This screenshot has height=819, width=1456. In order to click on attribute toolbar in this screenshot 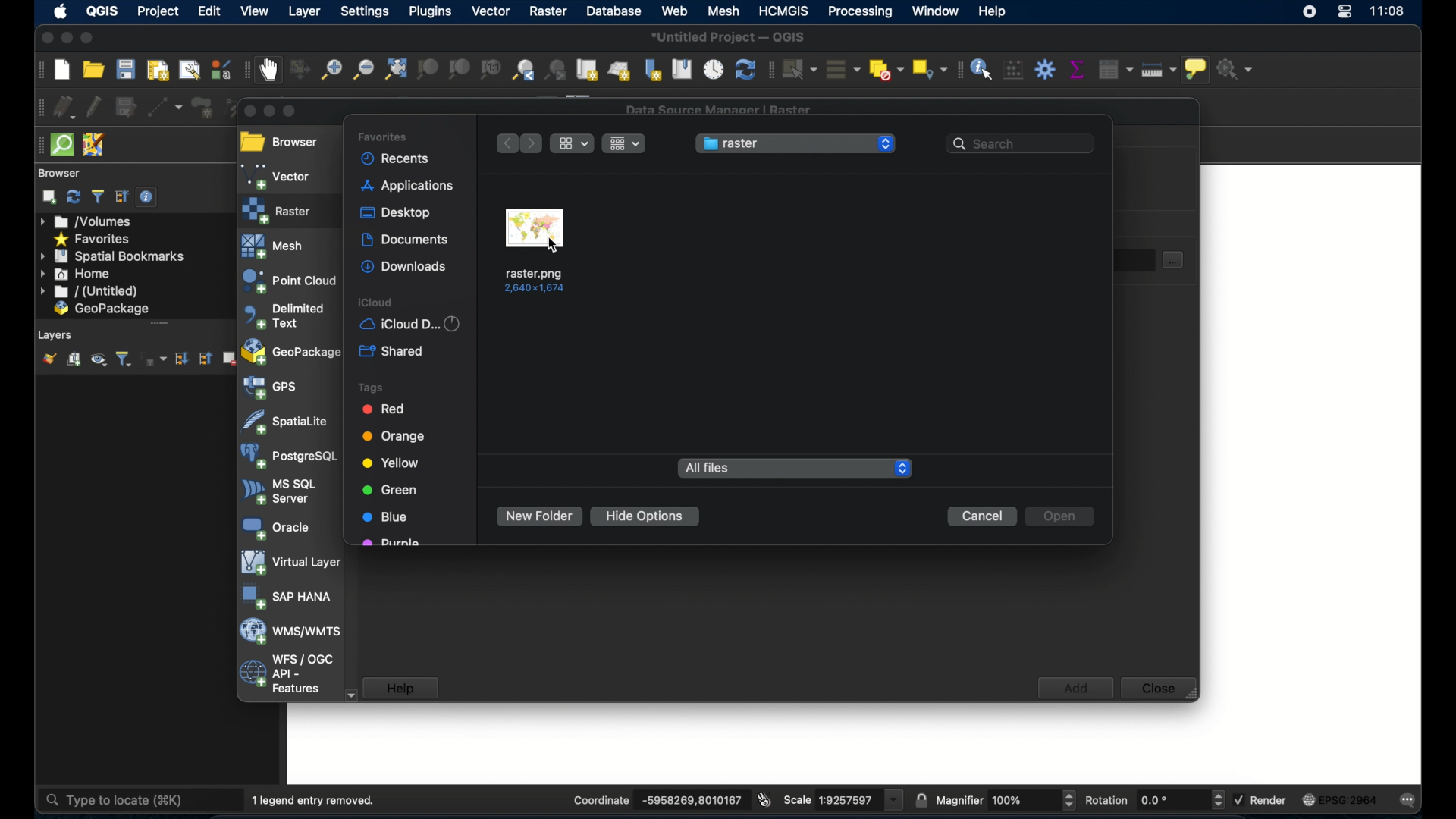, I will do `click(957, 70)`.